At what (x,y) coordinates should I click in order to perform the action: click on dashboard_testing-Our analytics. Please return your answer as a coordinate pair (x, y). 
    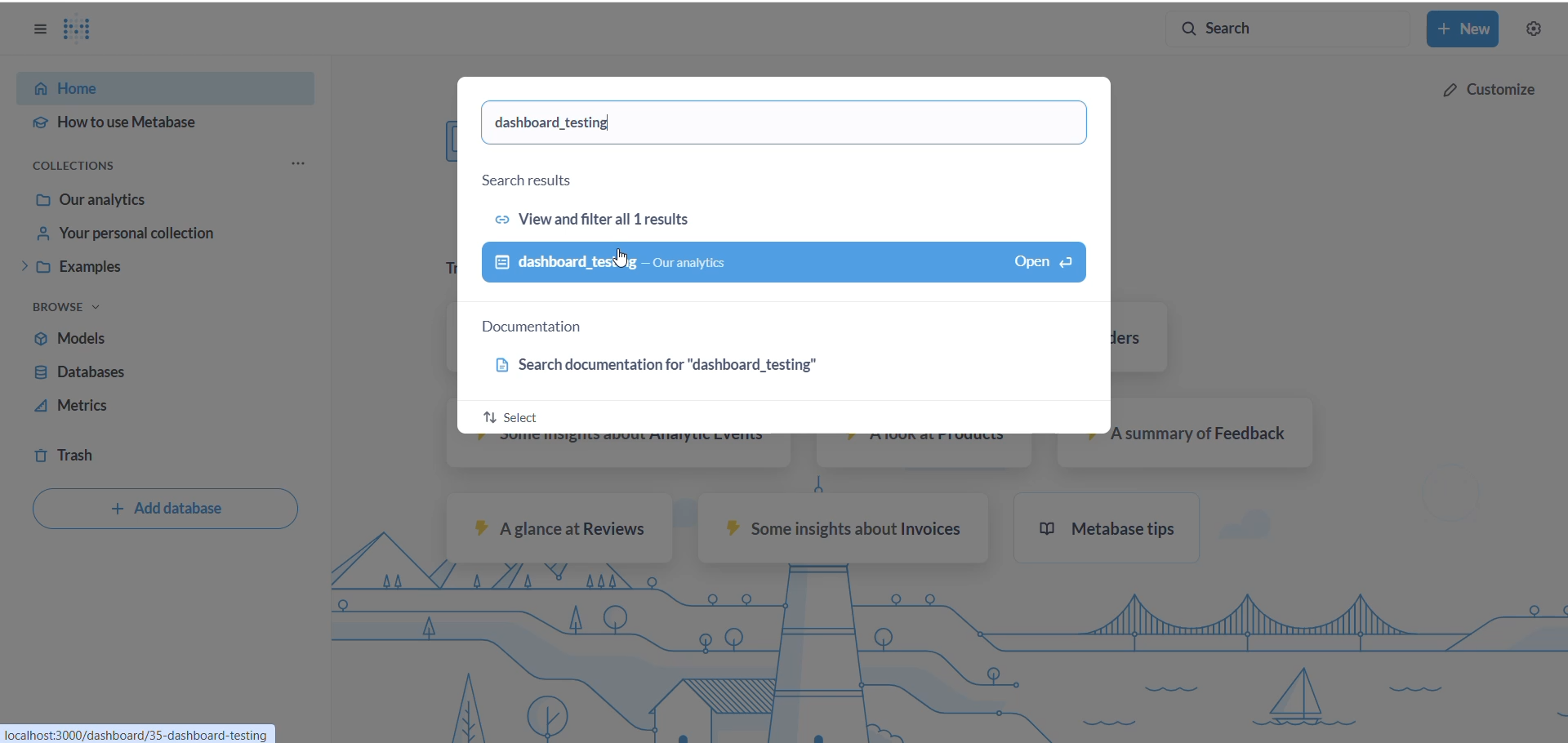
    Looking at the image, I should click on (785, 263).